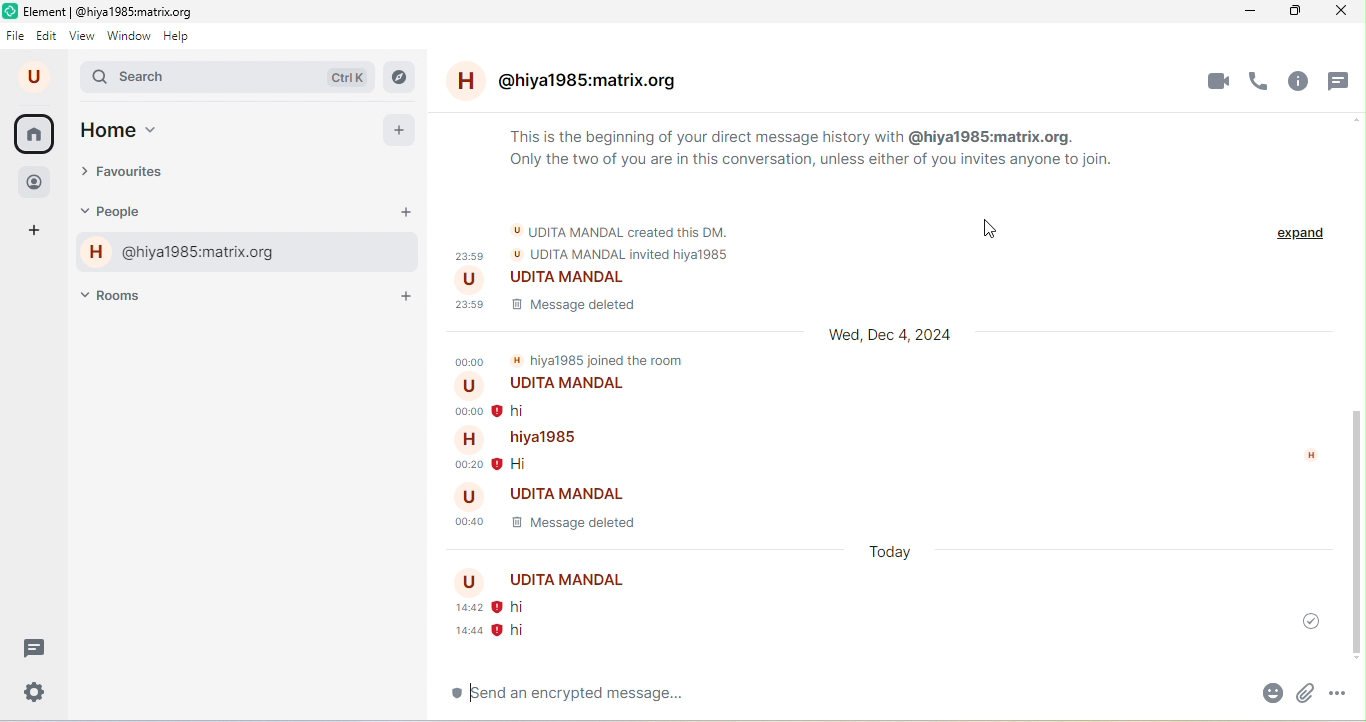 This screenshot has height=722, width=1366. What do you see at coordinates (523, 437) in the screenshot?
I see `hiya1985` at bounding box center [523, 437].